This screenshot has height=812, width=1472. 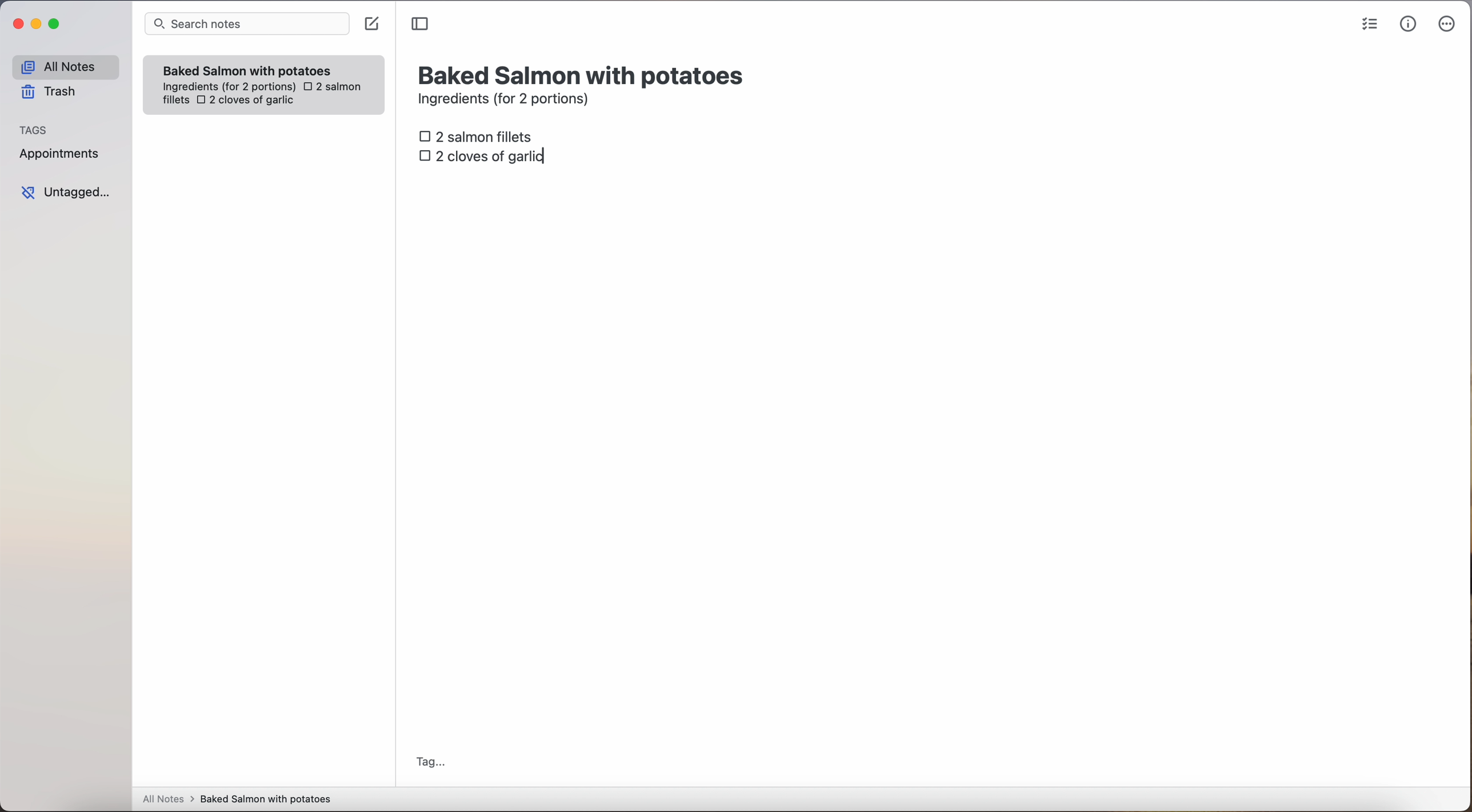 I want to click on check list, so click(x=1370, y=25).